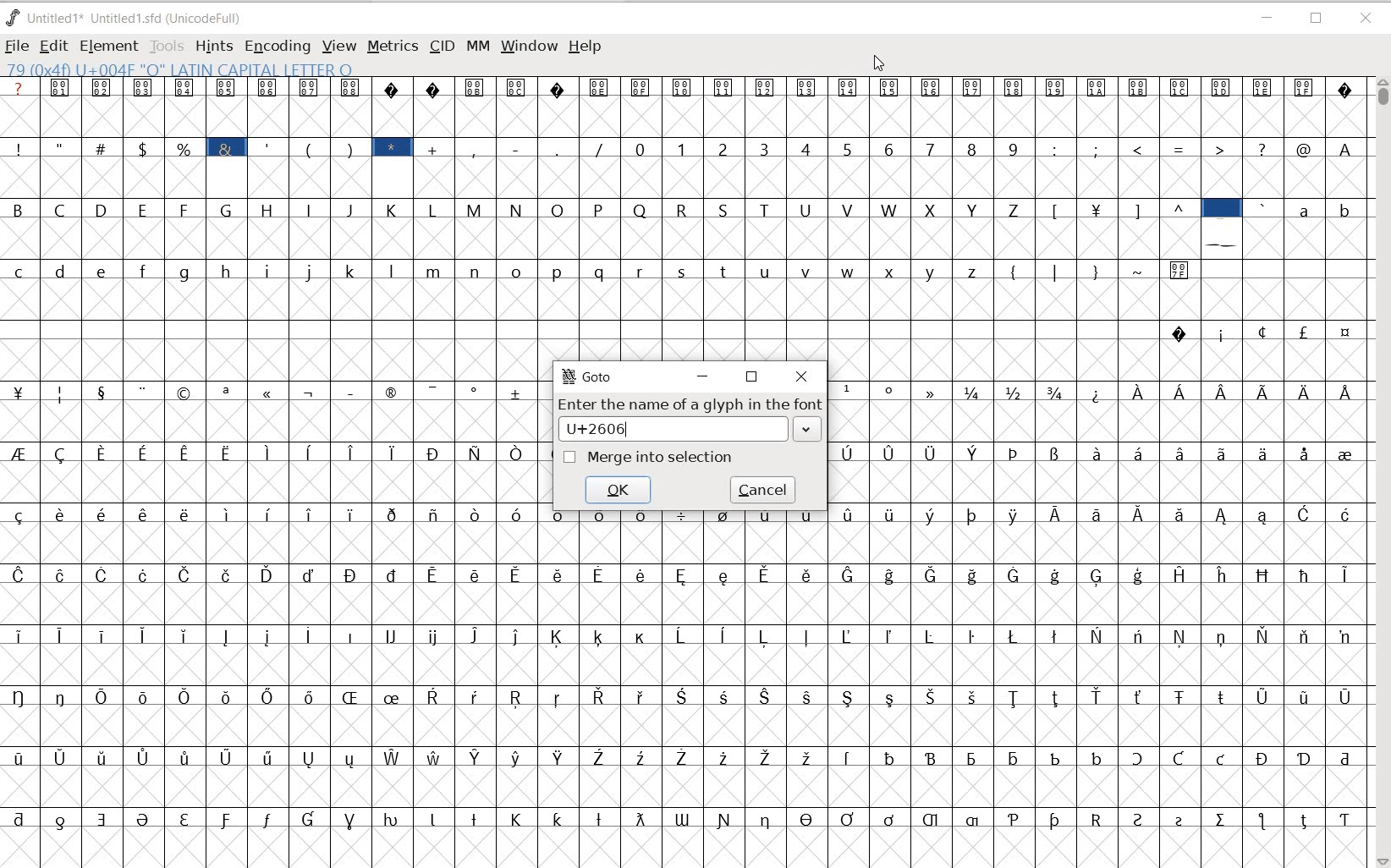 The width and height of the screenshot is (1391, 868). What do you see at coordinates (641, 430) in the screenshot?
I see `U+2606` at bounding box center [641, 430].